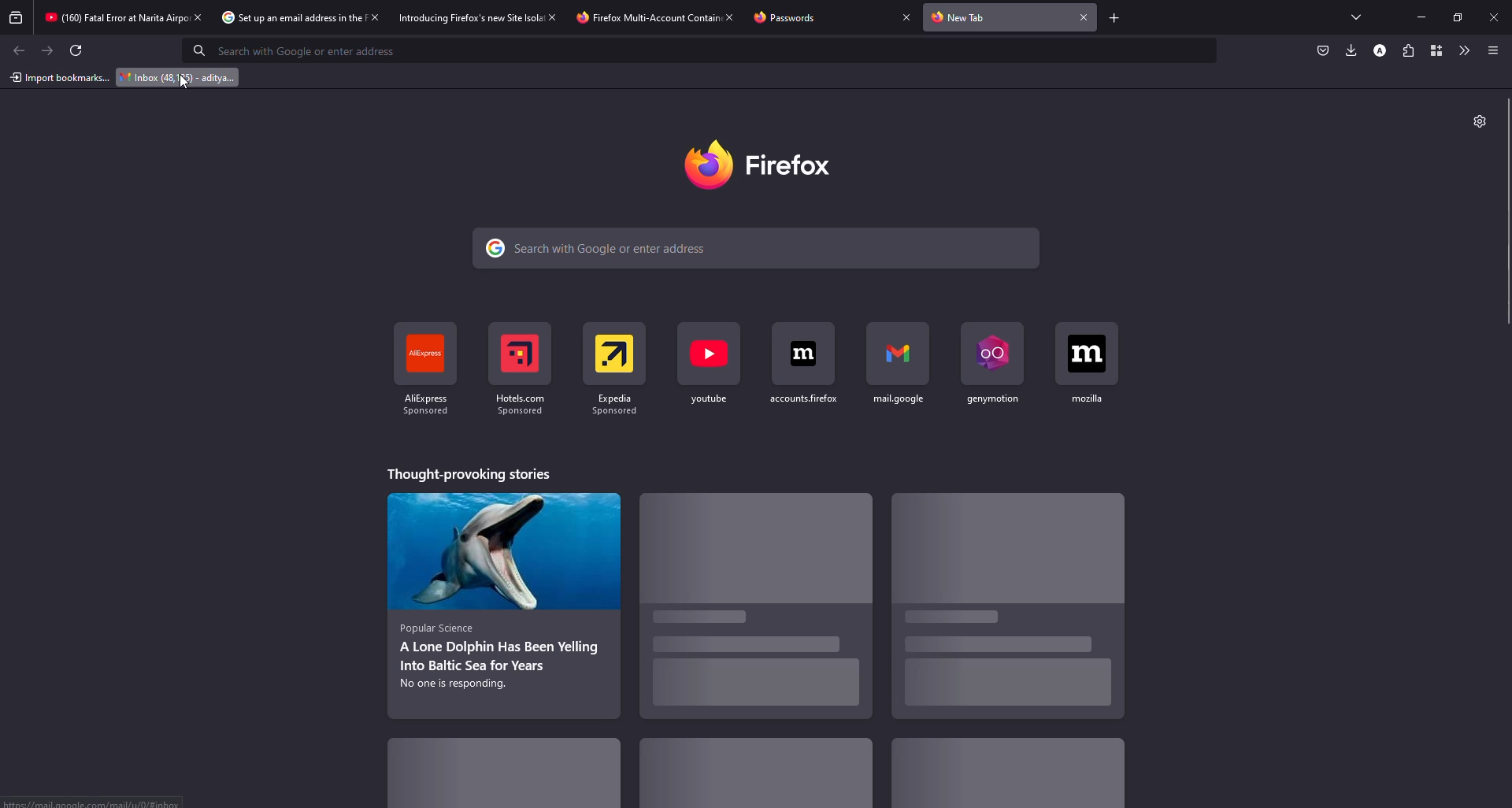 Image resolution: width=1512 pixels, height=808 pixels. Describe the element at coordinates (729, 17) in the screenshot. I see `close` at that location.